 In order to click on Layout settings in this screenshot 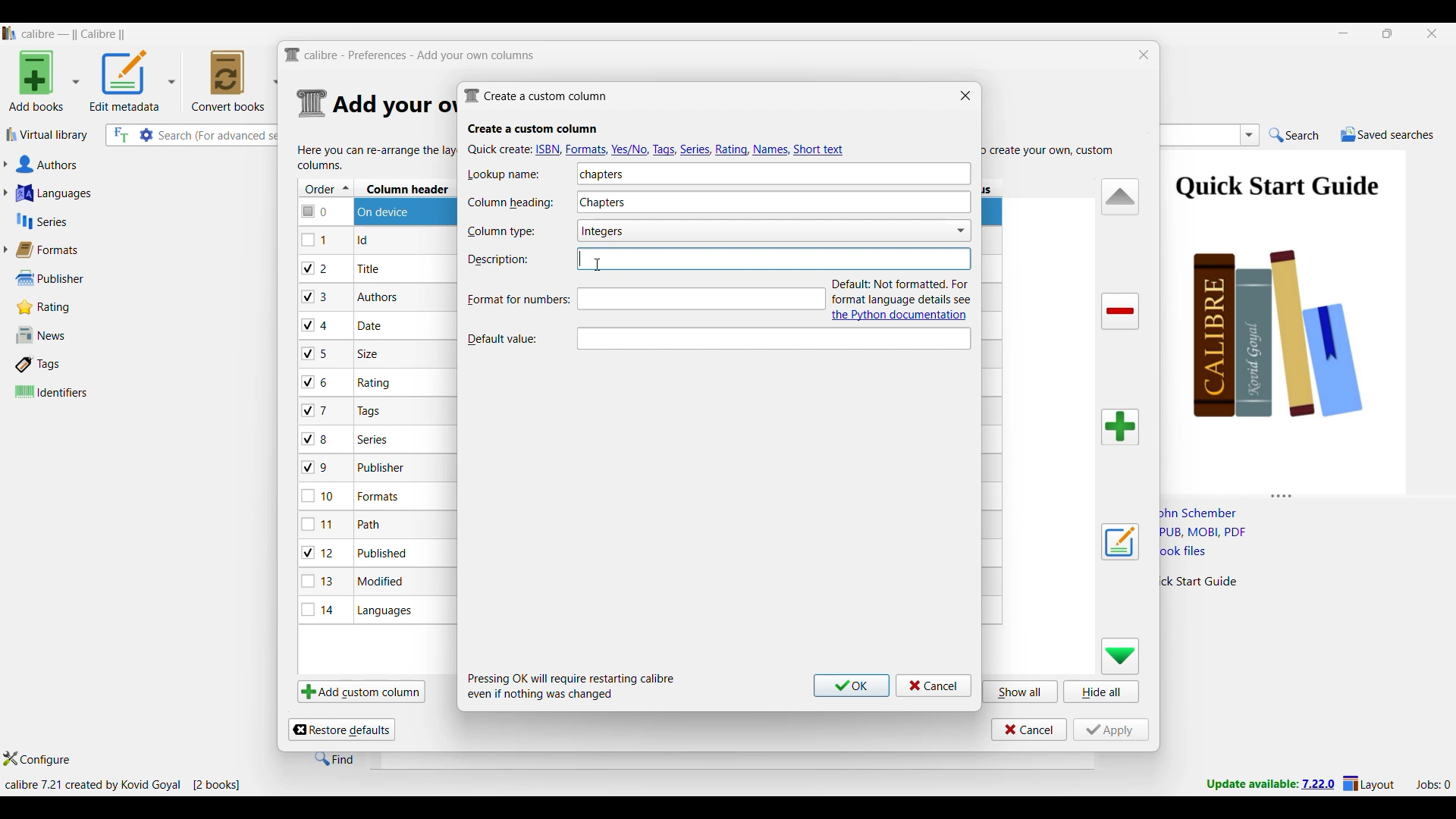, I will do `click(1369, 783)`.